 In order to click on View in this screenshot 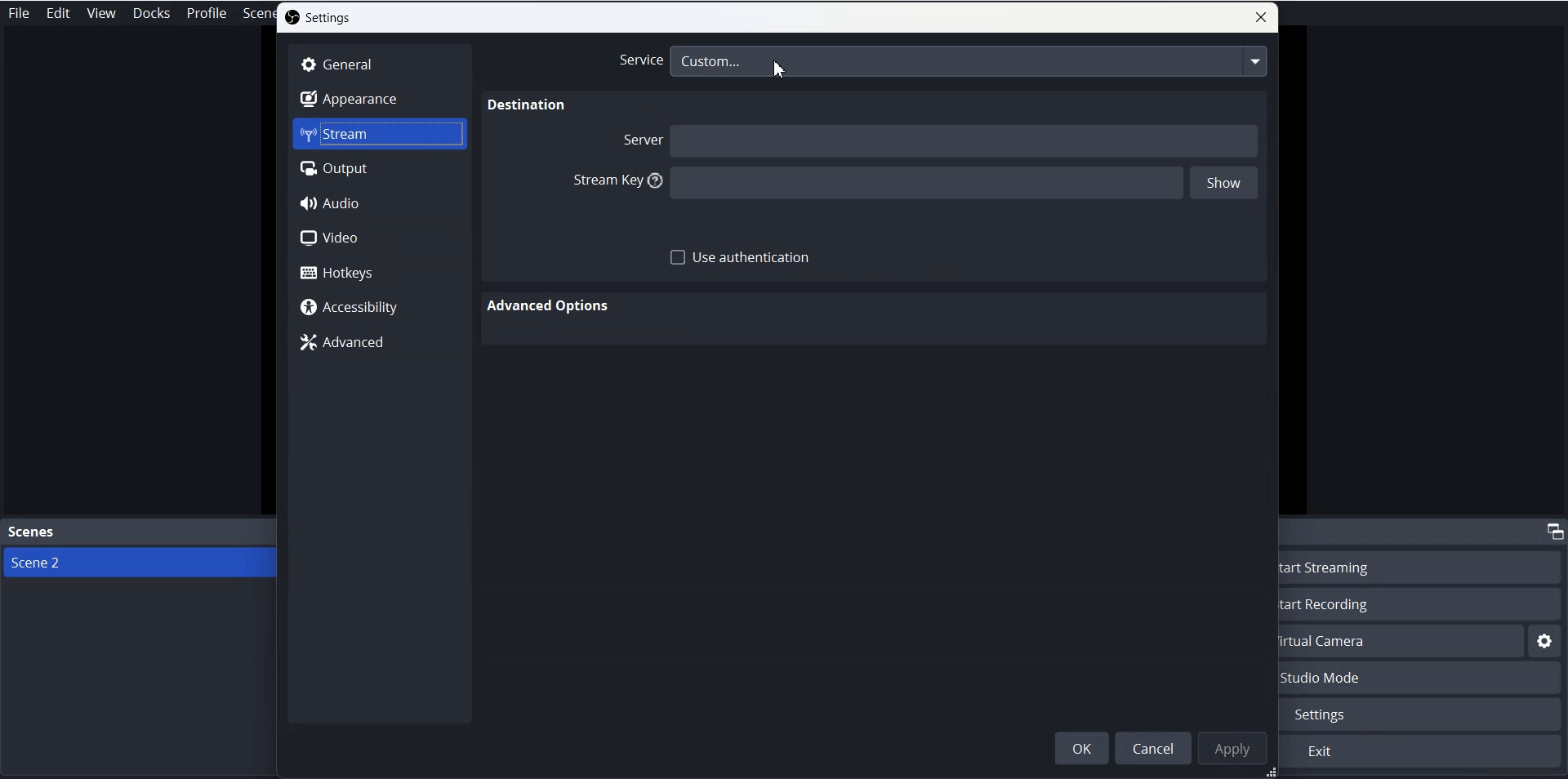, I will do `click(101, 13)`.